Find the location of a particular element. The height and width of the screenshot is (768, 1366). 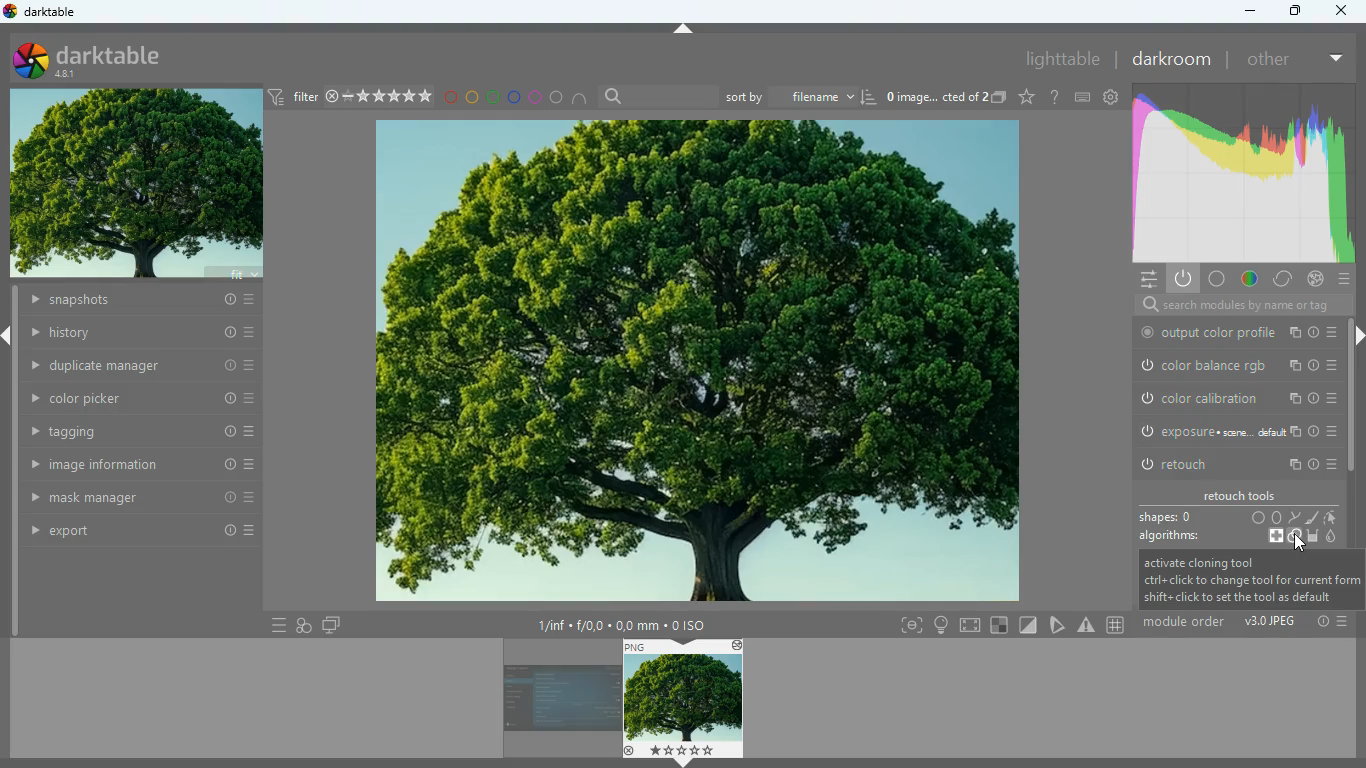

darkroom is located at coordinates (1172, 60).